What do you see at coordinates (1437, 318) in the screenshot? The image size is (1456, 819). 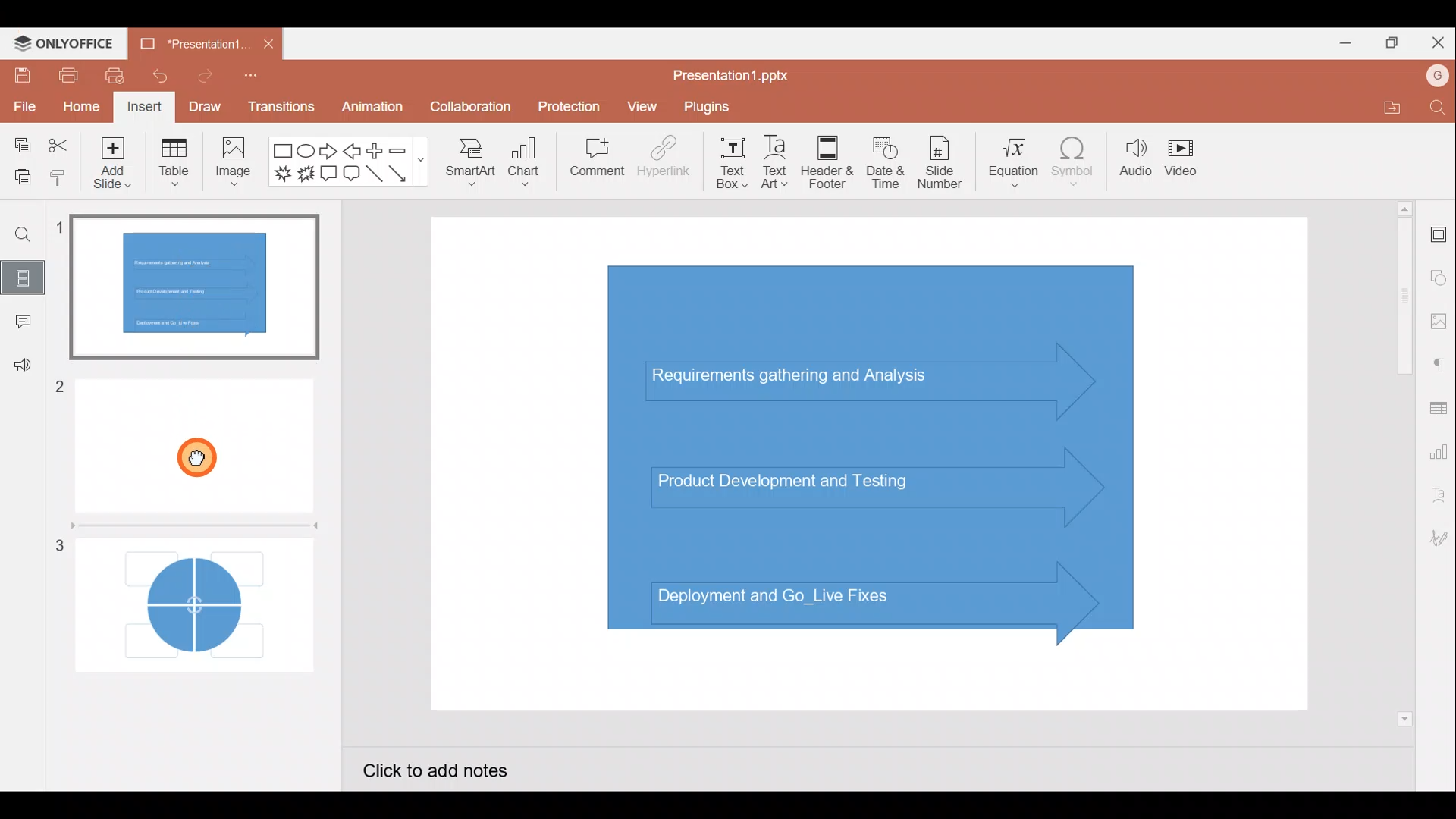 I see `Image settings` at bounding box center [1437, 318].